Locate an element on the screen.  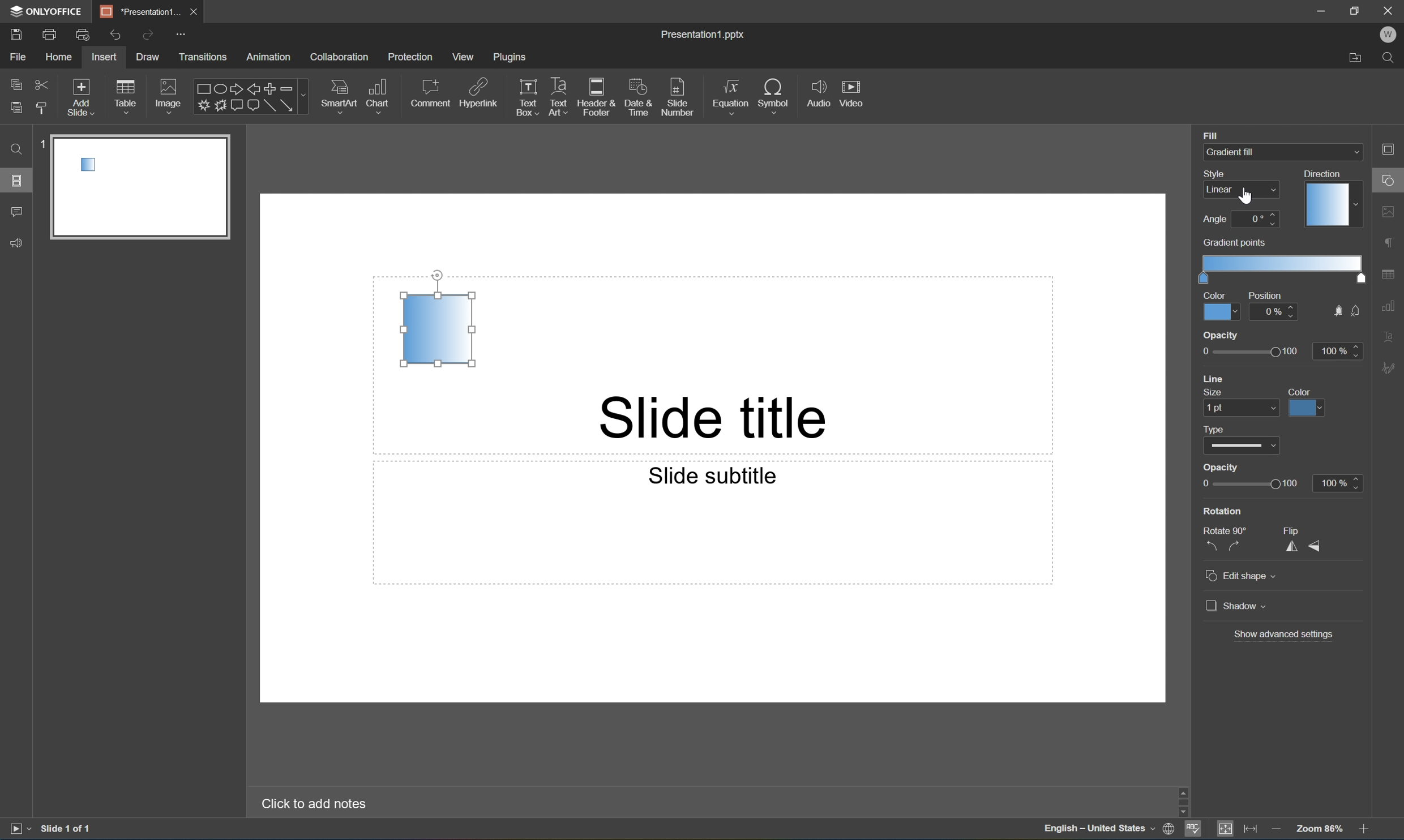
Flip horizontally is located at coordinates (1289, 551).